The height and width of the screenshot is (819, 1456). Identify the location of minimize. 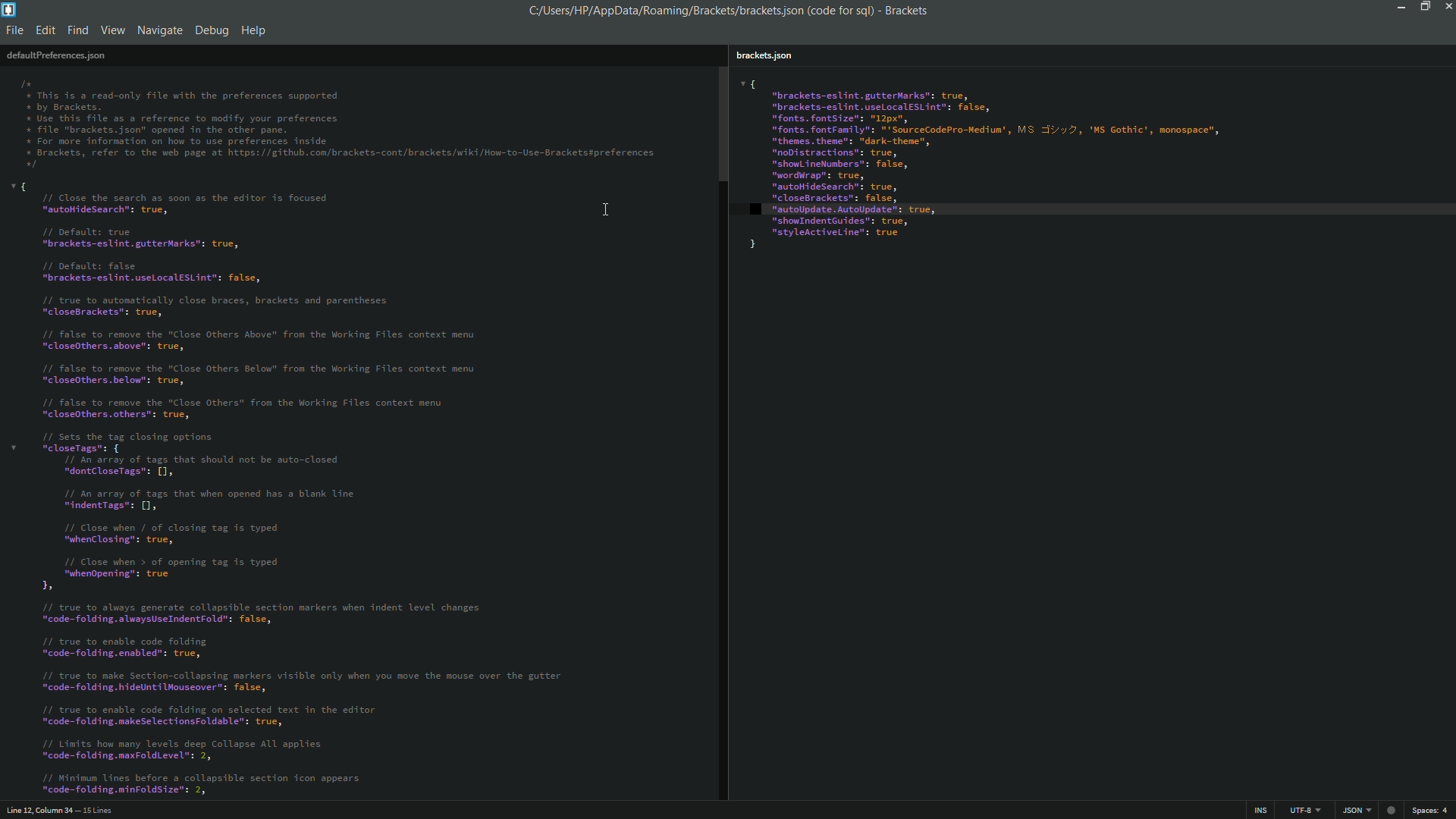
(1401, 8).